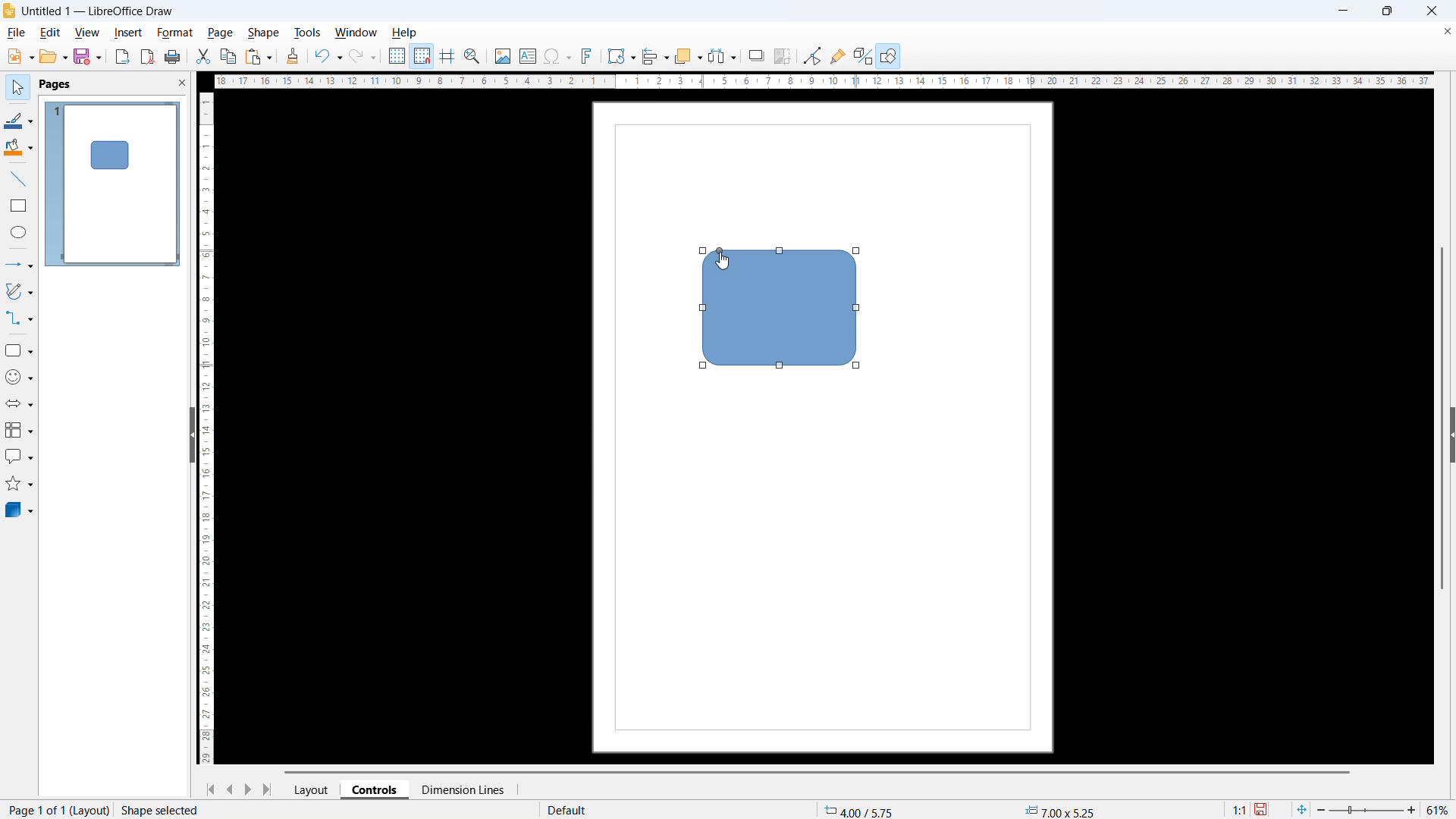 The height and width of the screenshot is (819, 1456). What do you see at coordinates (19, 205) in the screenshot?
I see `Rectangle tool ` at bounding box center [19, 205].